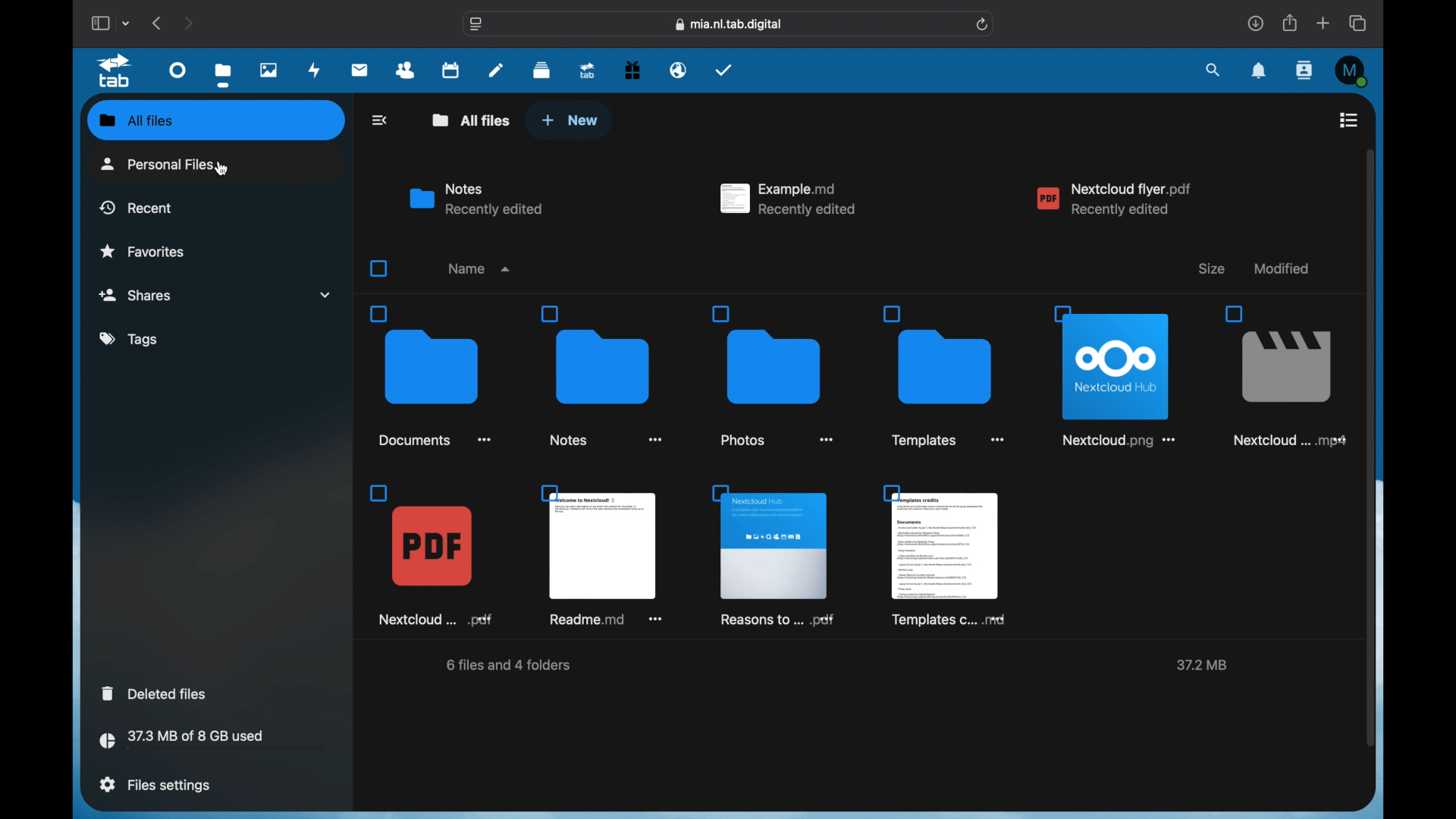 The height and width of the screenshot is (819, 1456). What do you see at coordinates (1210, 268) in the screenshot?
I see `size` at bounding box center [1210, 268].